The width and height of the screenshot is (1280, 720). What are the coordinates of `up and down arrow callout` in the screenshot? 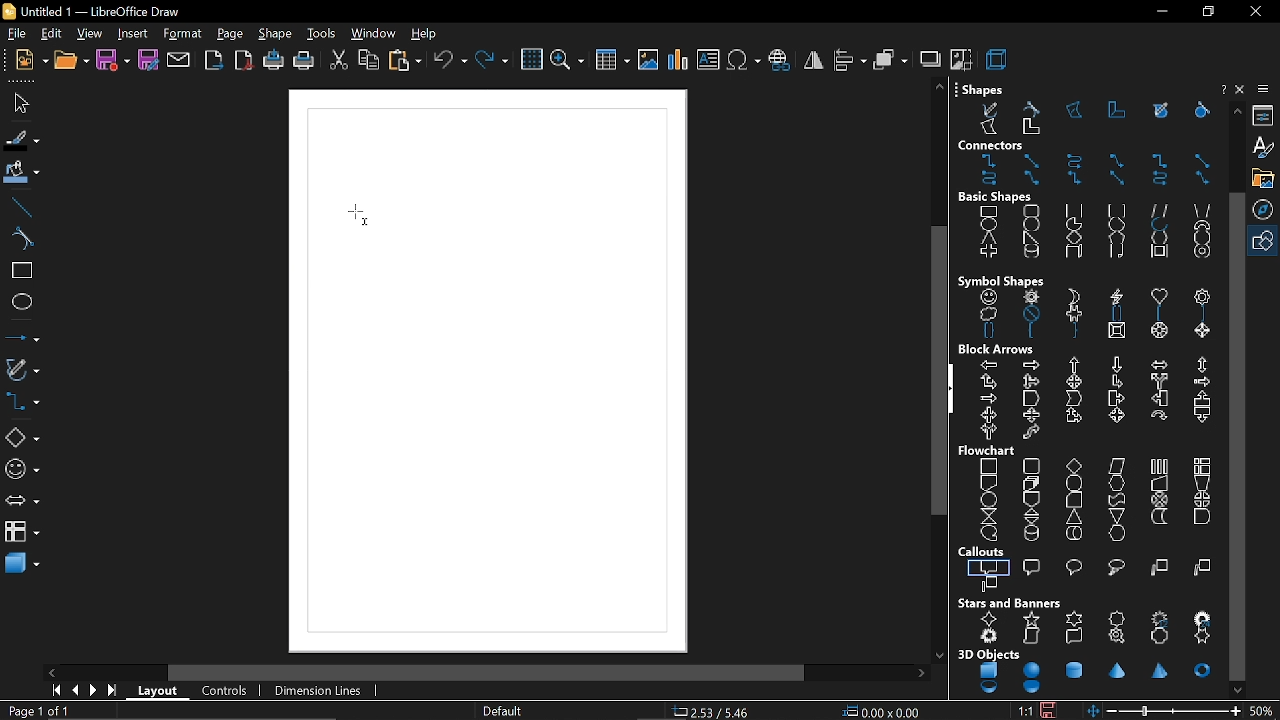 It's located at (1029, 415).